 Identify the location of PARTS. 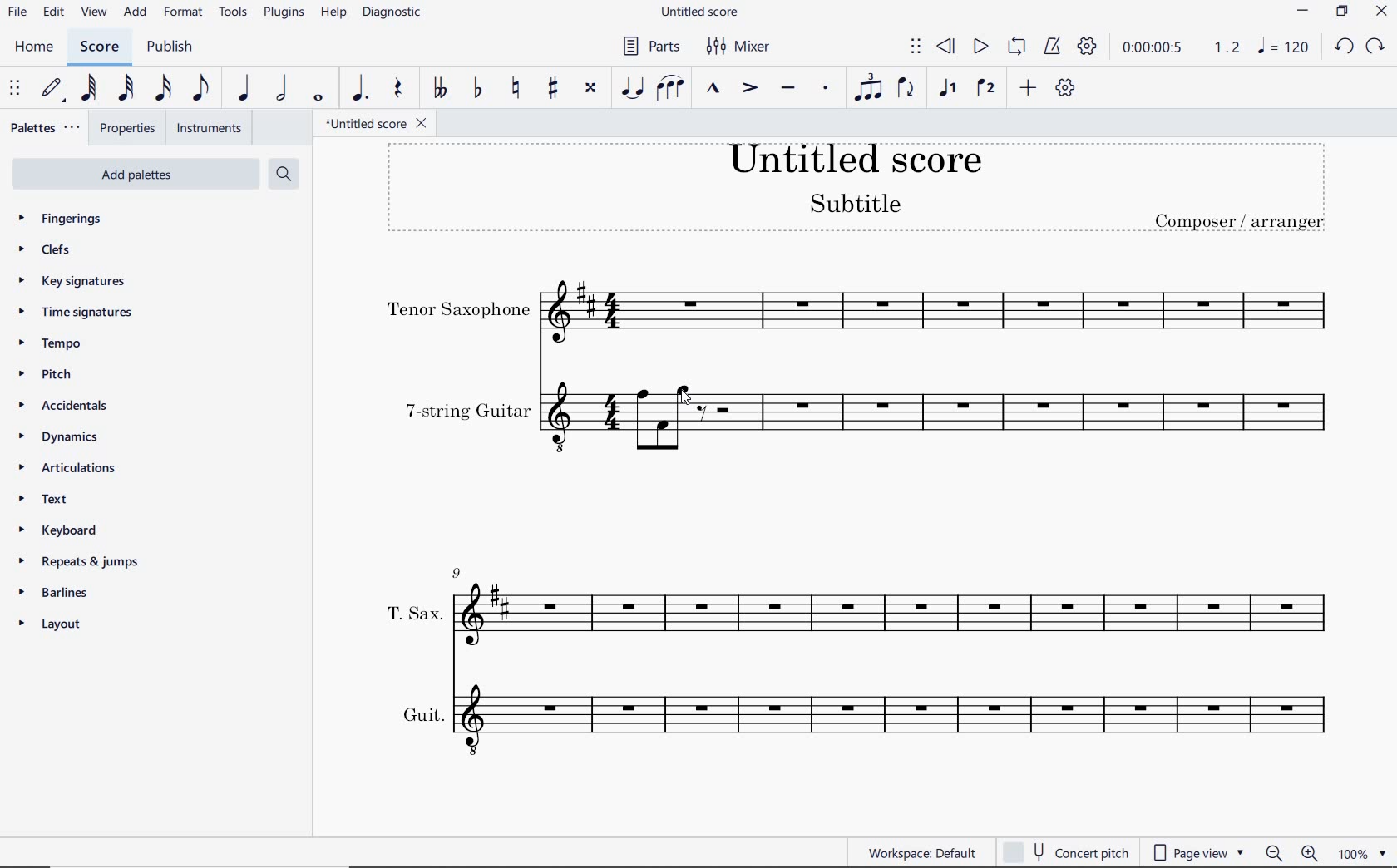
(650, 48).